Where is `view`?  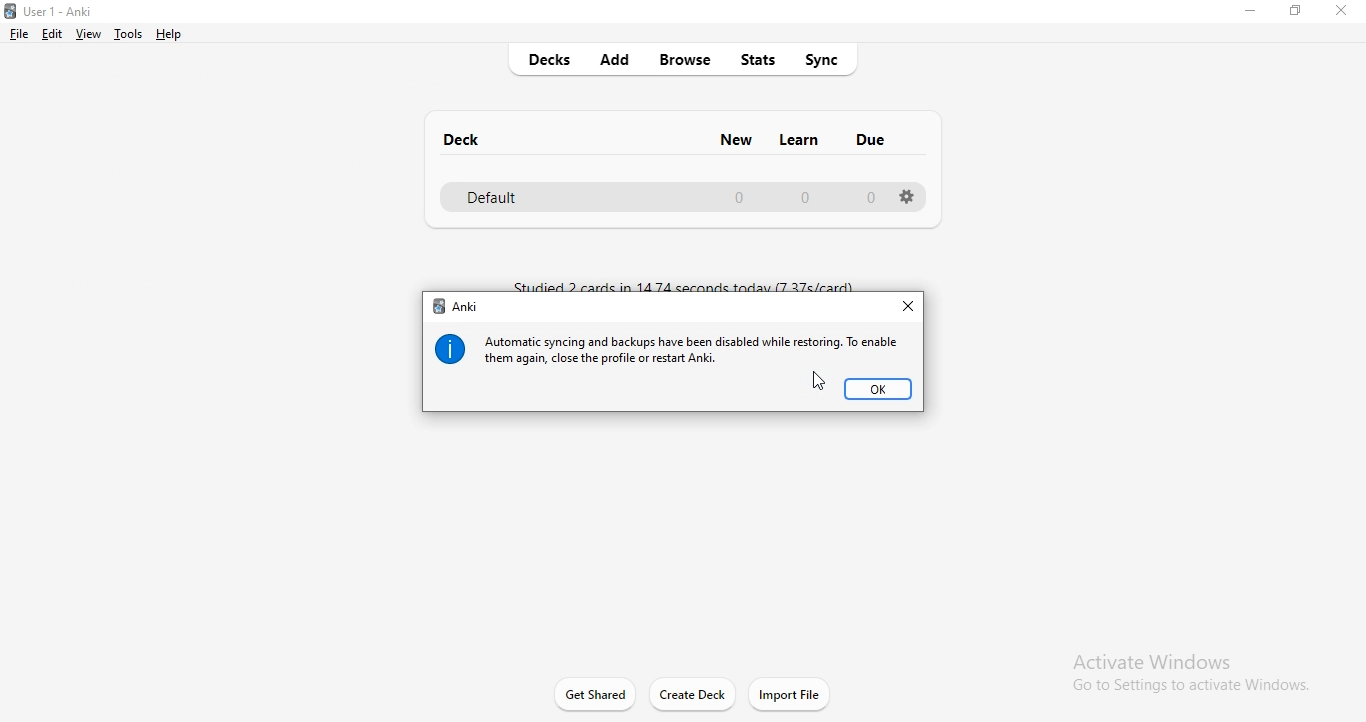 view is located at coordinates (88, 33).